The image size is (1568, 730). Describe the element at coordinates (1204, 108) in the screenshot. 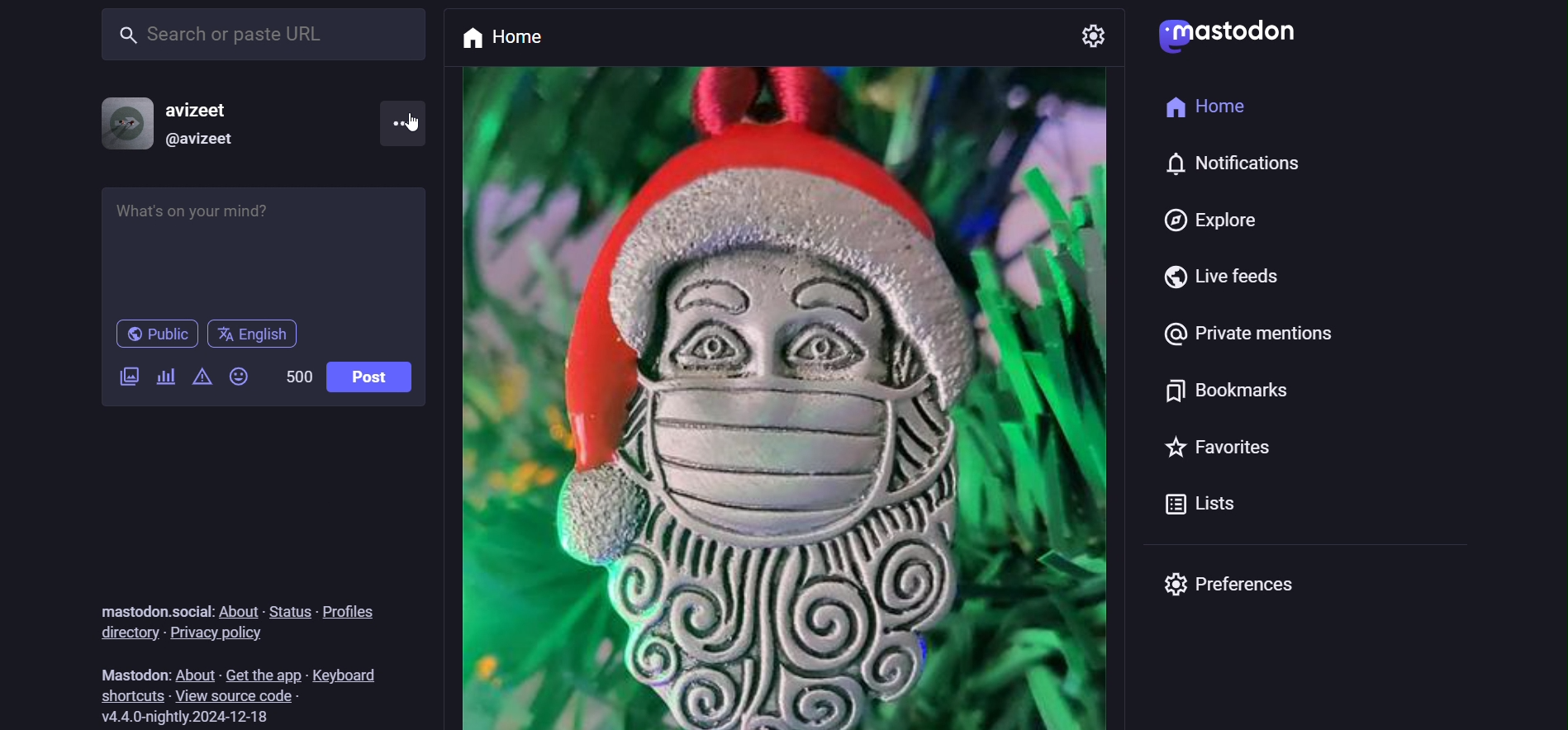

I see `home` at that location.